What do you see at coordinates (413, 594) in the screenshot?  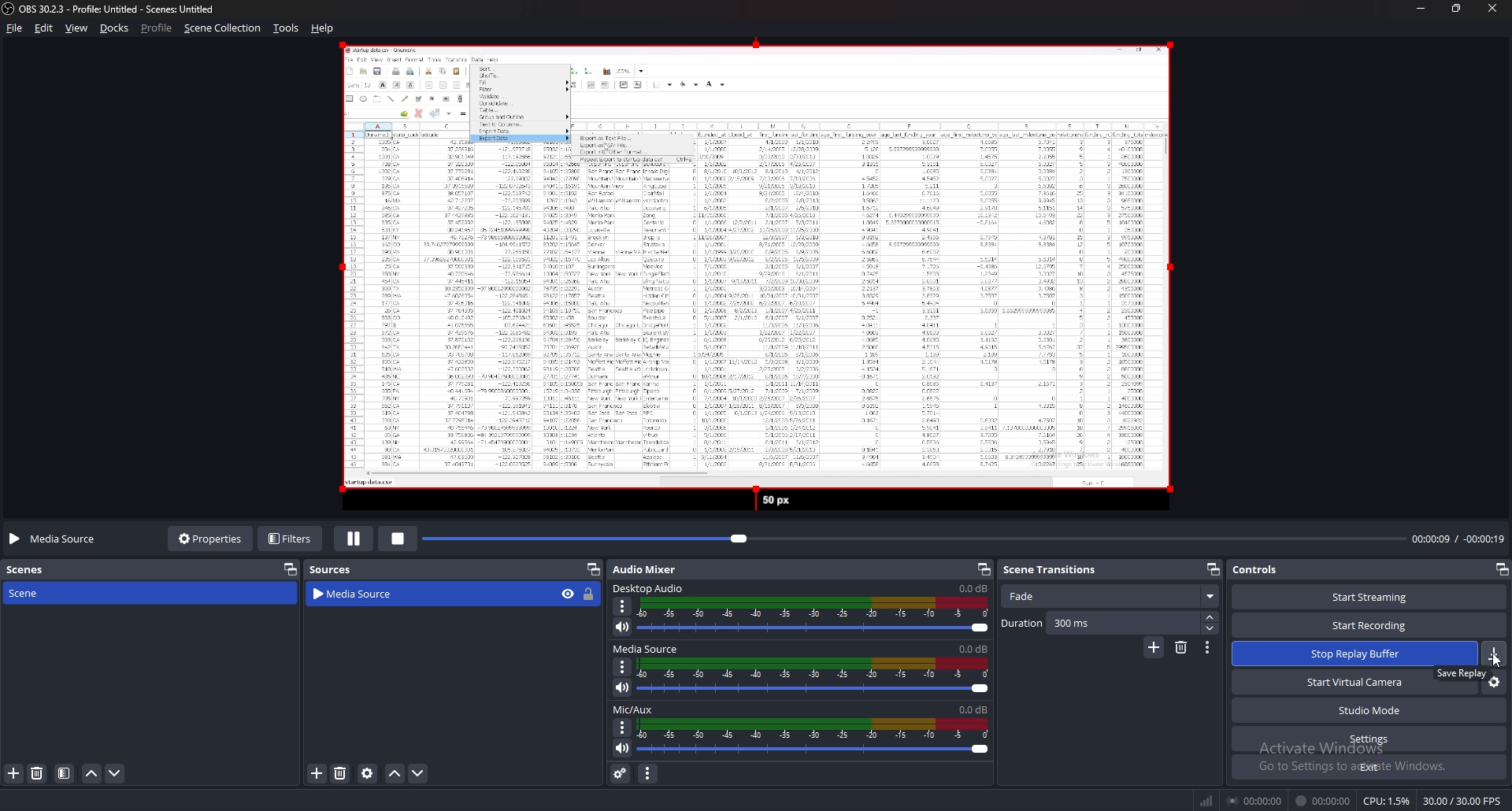 I see `media source` at bounding box center [413, 594].